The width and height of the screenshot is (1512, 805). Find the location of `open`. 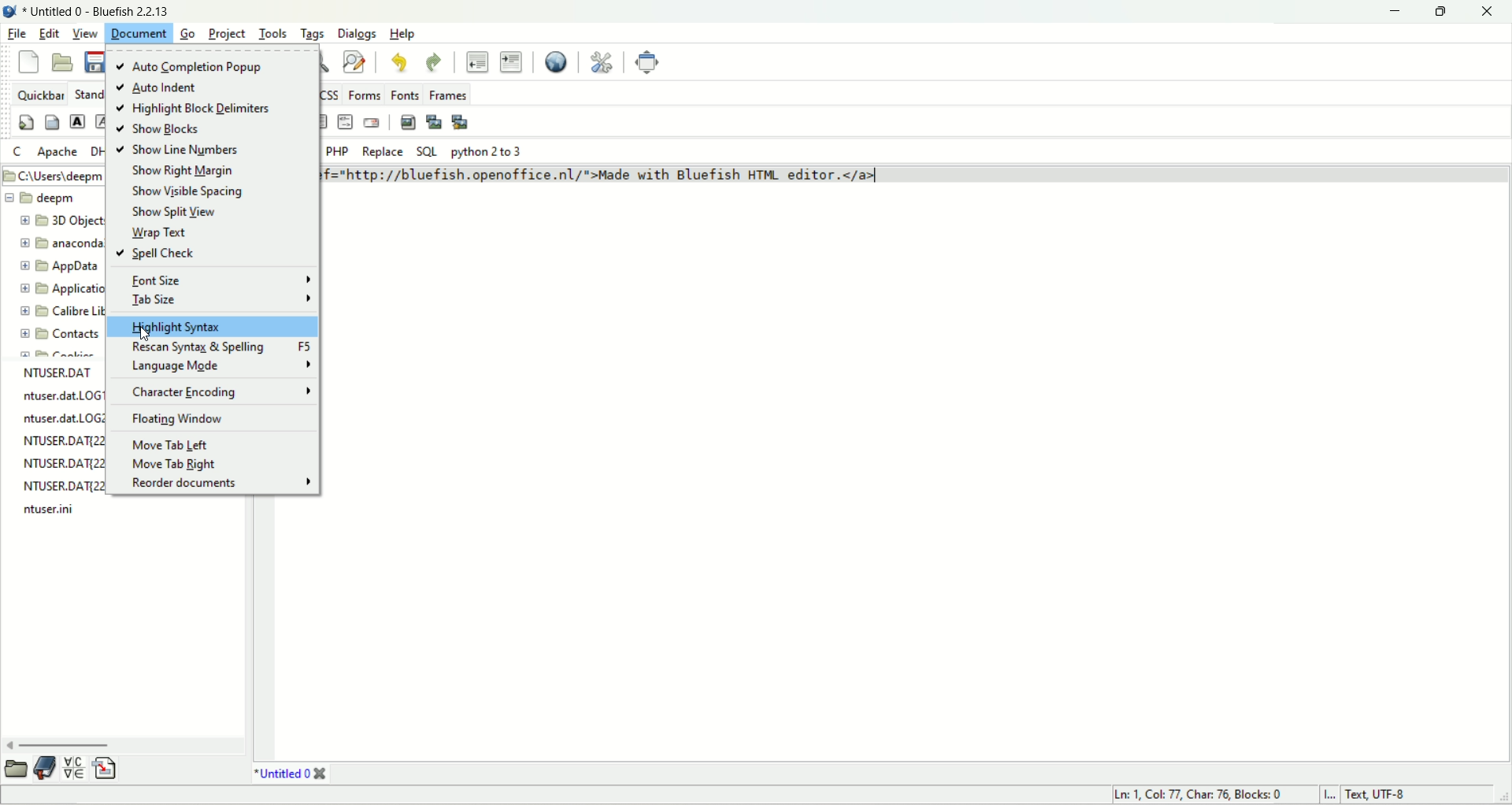

open is located at coordinates (14, 770).